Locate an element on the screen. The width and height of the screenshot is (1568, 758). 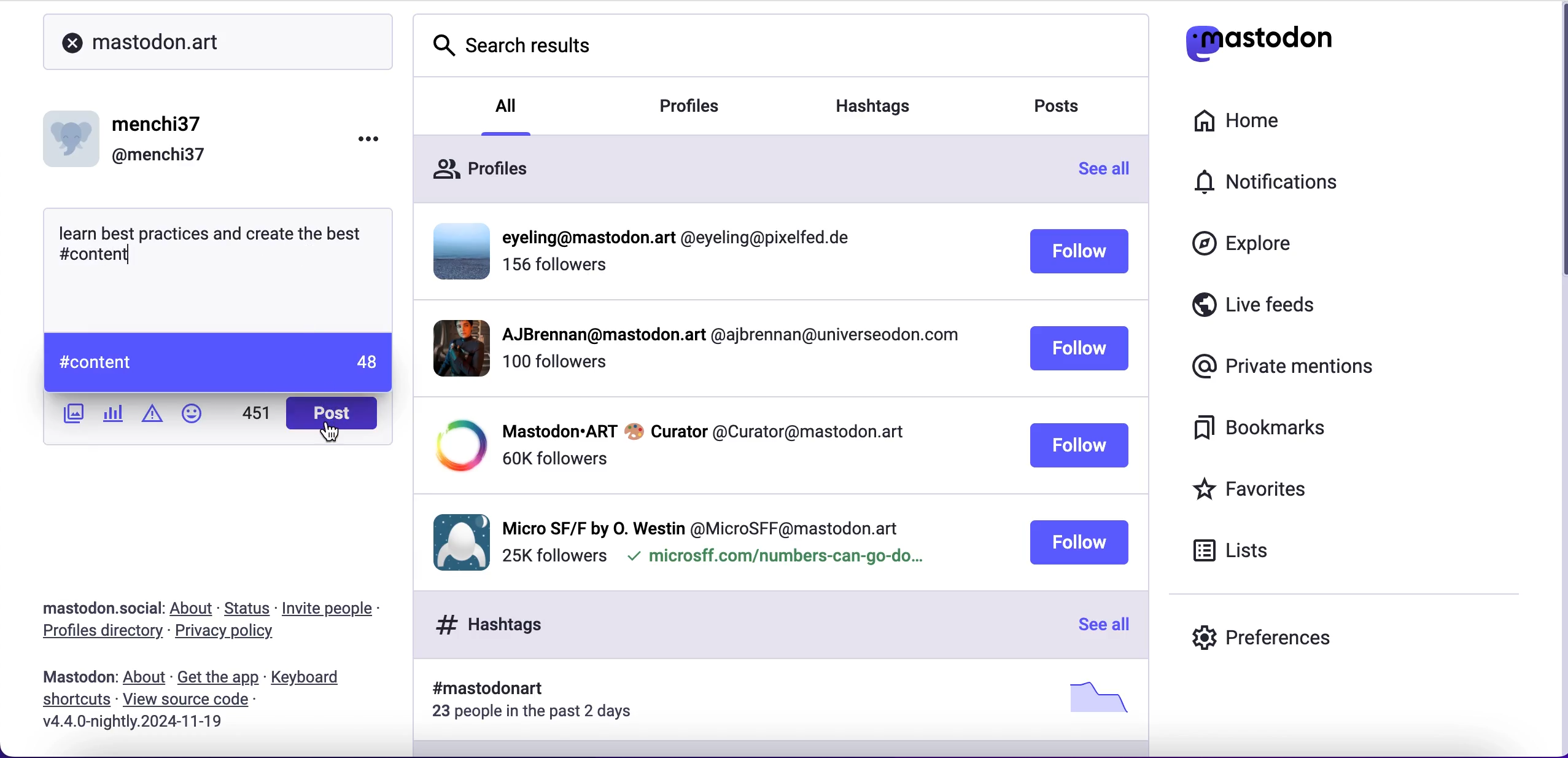
preferences is located at coordinates (1273, 630).